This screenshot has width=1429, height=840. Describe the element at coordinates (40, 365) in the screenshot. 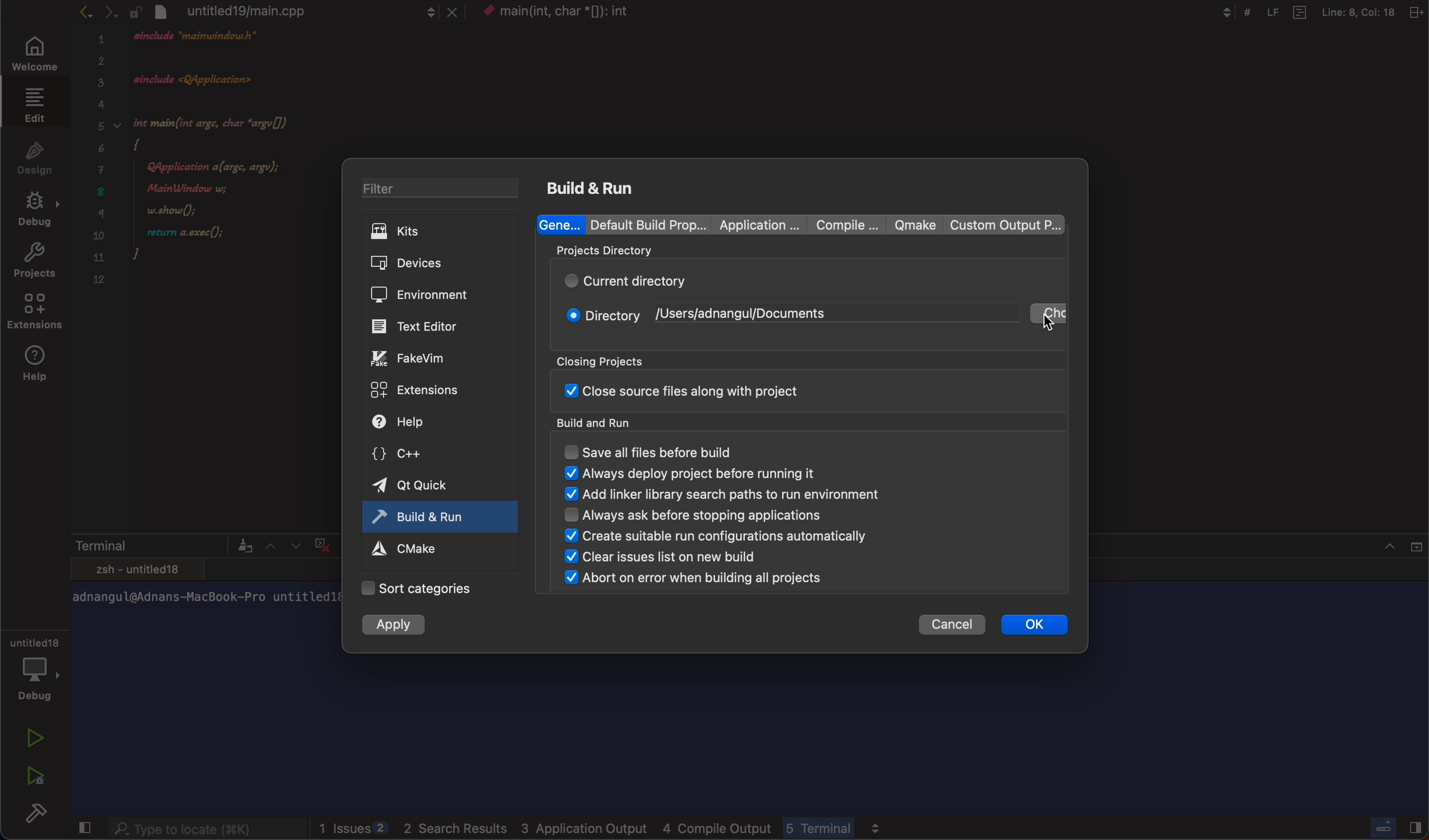

I see `help` at that location.